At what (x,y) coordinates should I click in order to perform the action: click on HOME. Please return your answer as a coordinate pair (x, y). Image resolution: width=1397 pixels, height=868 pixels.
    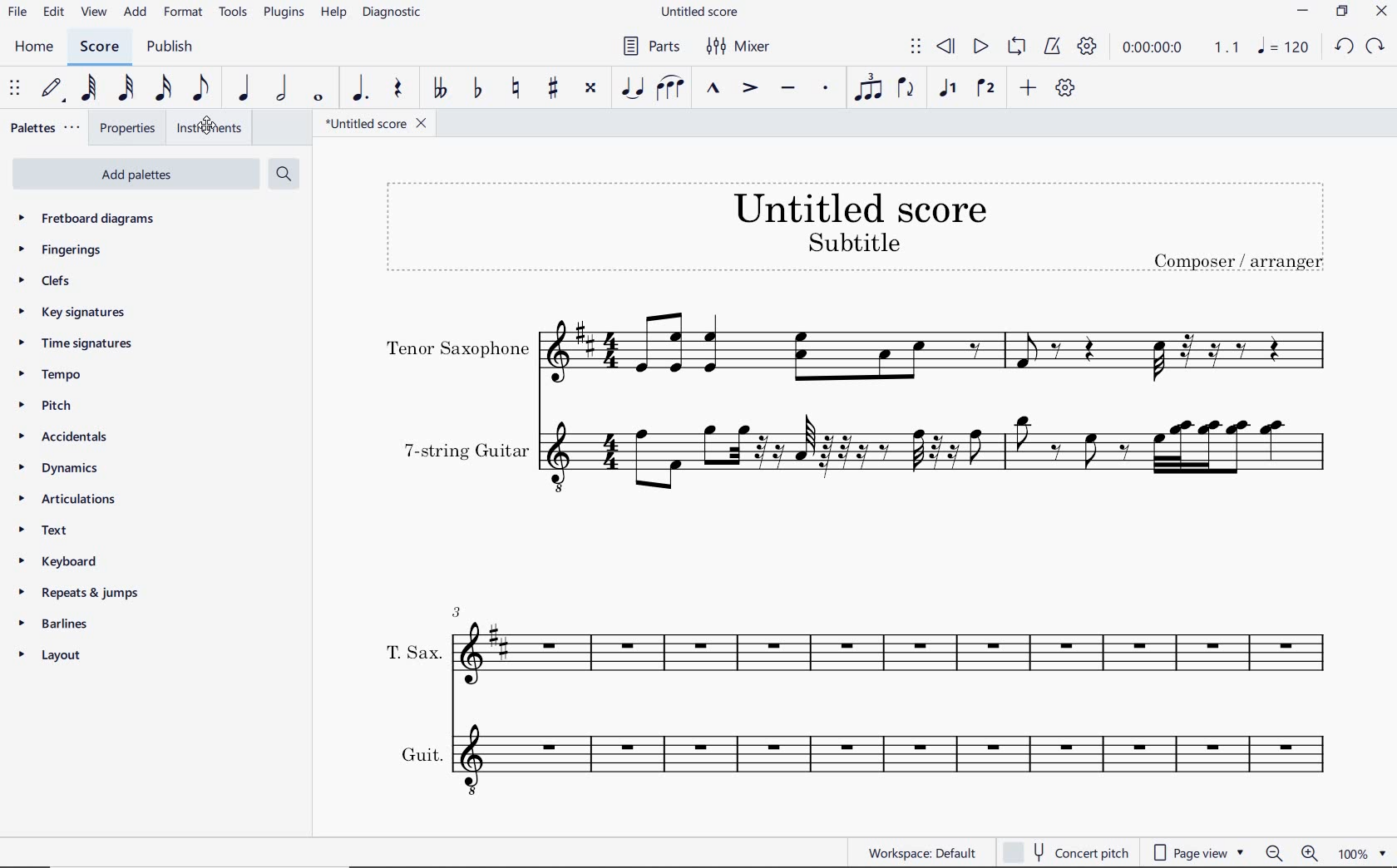
    Looking at the image, I should click on (35, 48).